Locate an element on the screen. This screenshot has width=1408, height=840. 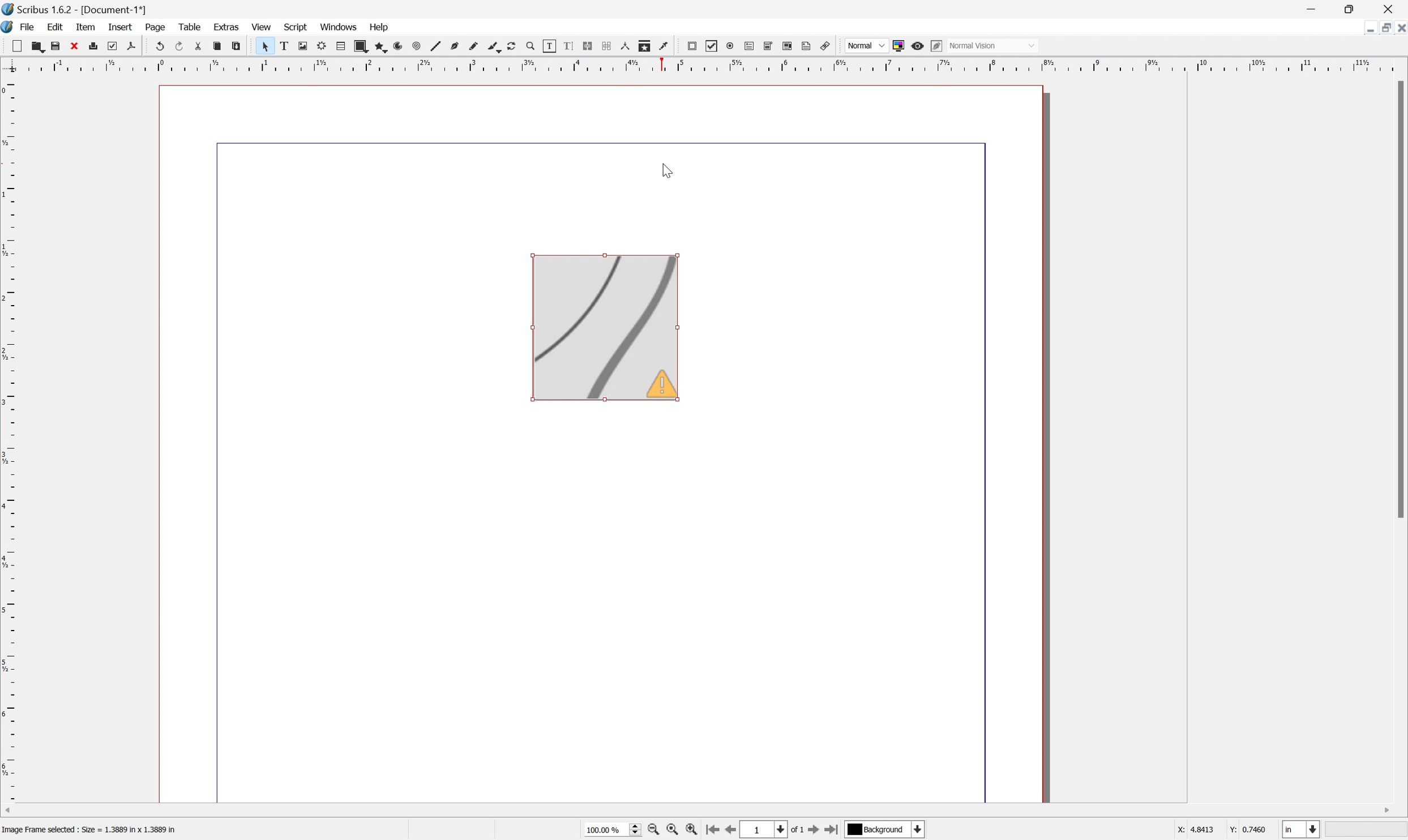
Edit is located at coordinates (56, 27).